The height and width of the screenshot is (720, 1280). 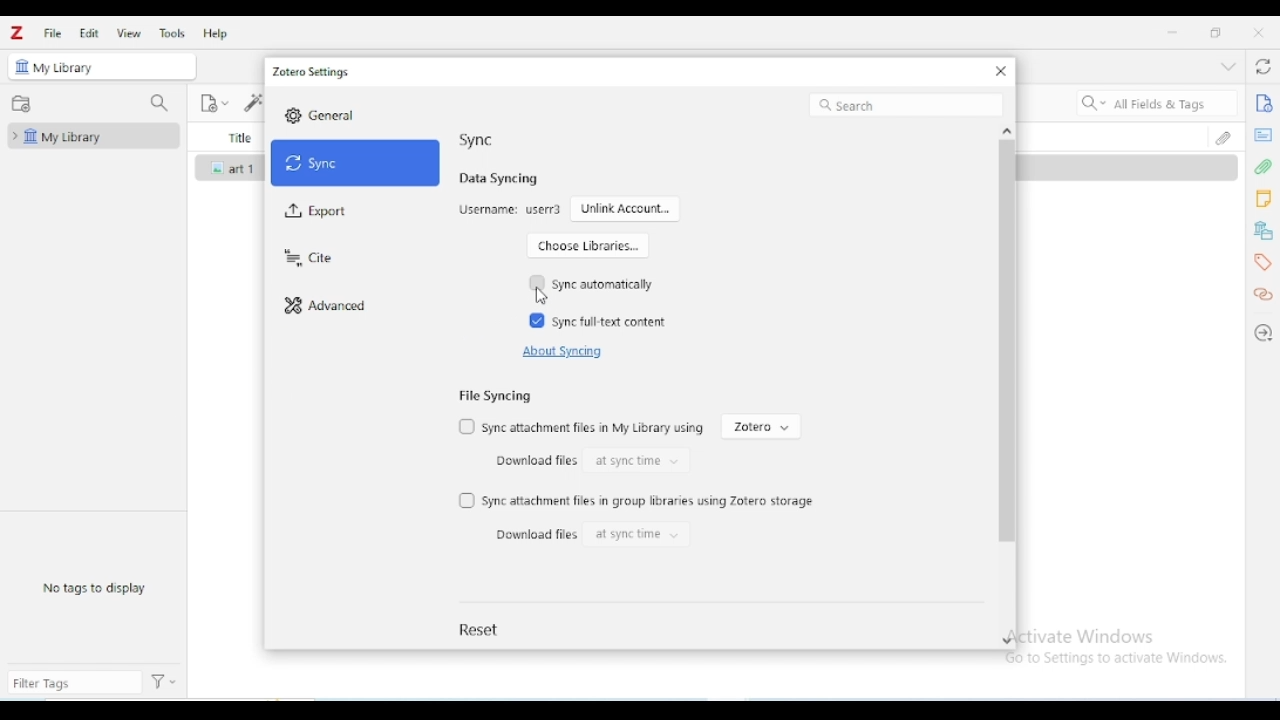 I want to click on attachments, so click(x=1264, y=167).